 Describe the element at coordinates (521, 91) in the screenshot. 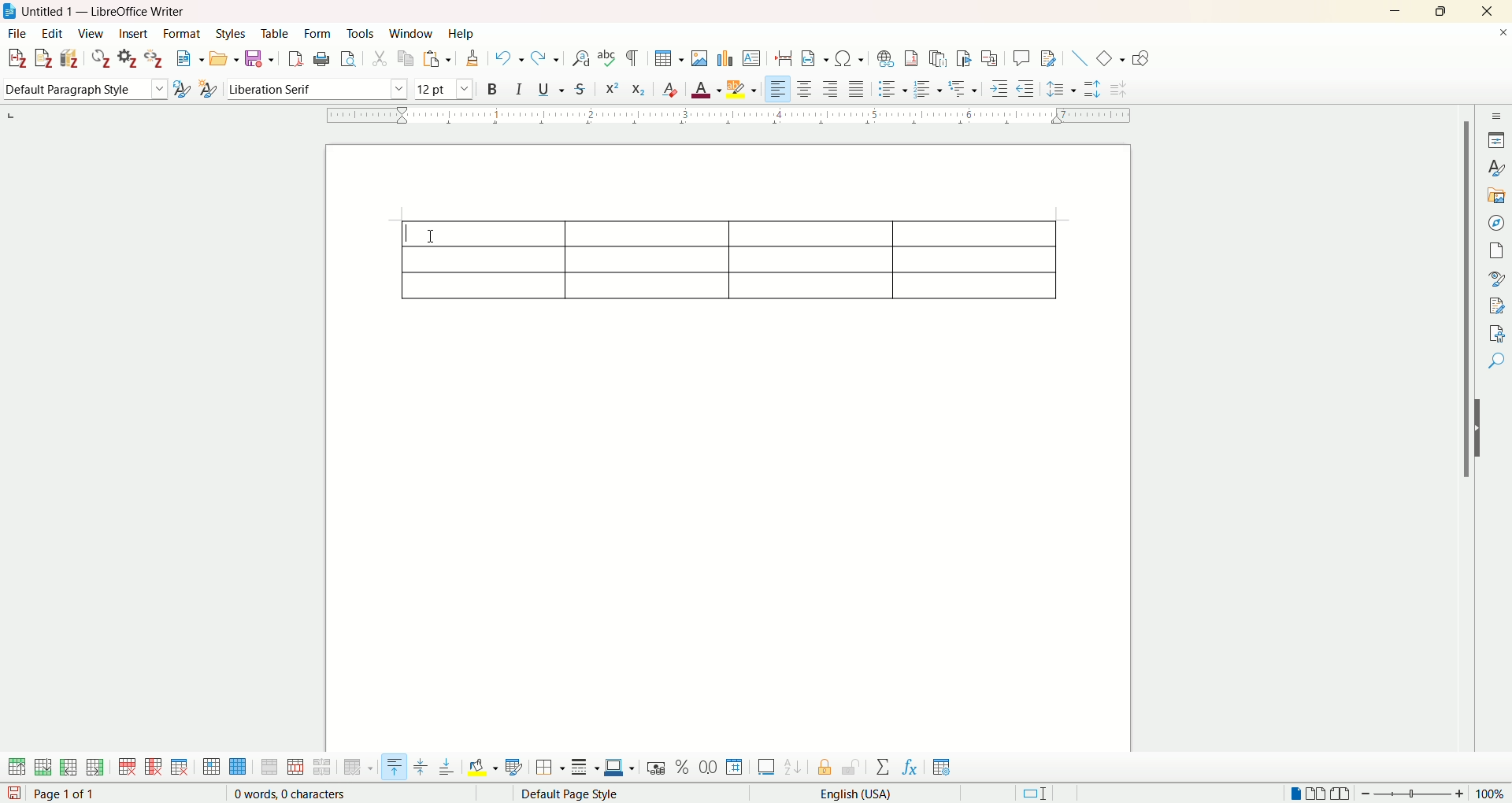

I see `italics` at that location.